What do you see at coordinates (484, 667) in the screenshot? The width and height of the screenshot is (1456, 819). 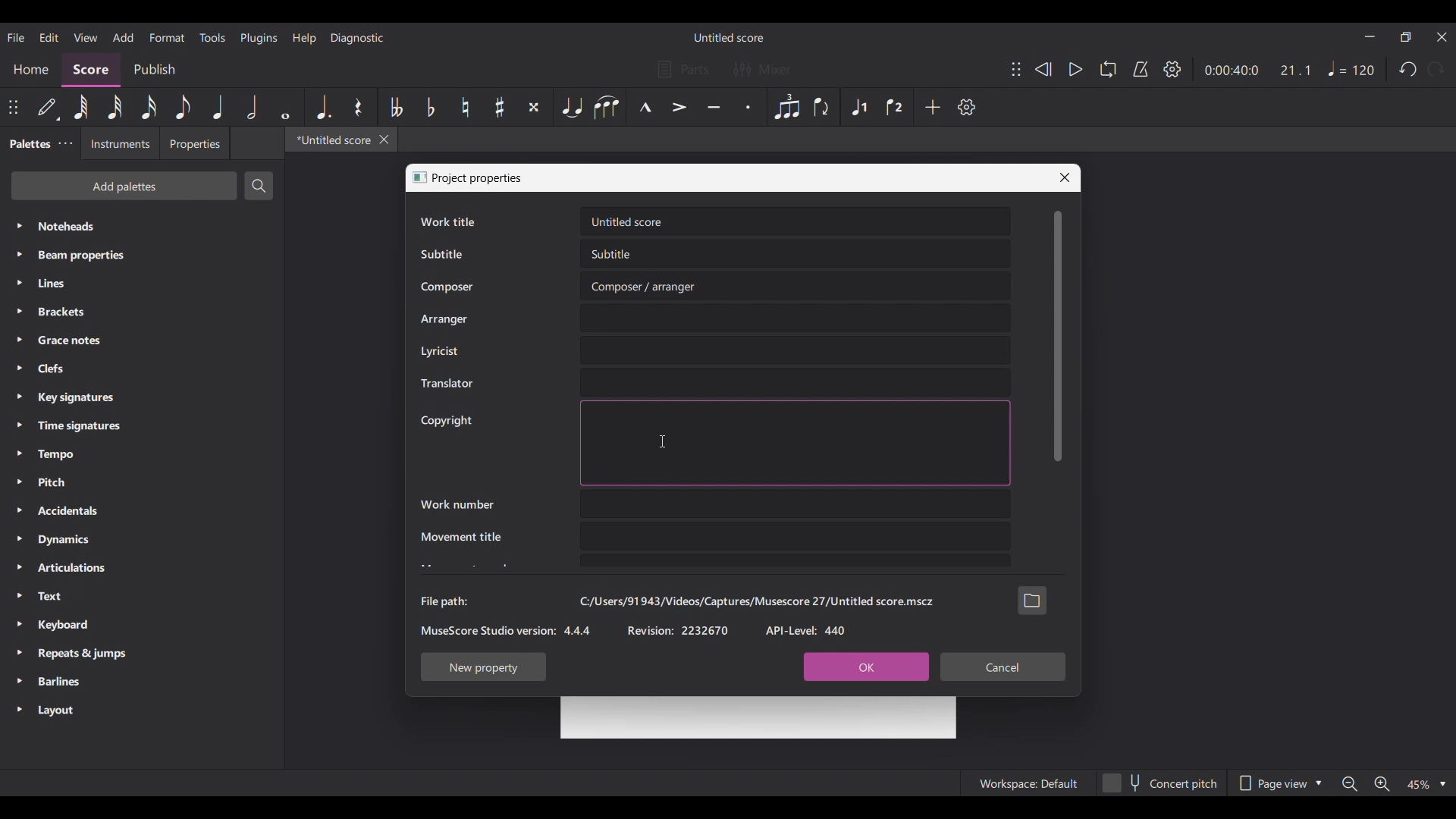 I see `New property` at bounding box center [484, 667].